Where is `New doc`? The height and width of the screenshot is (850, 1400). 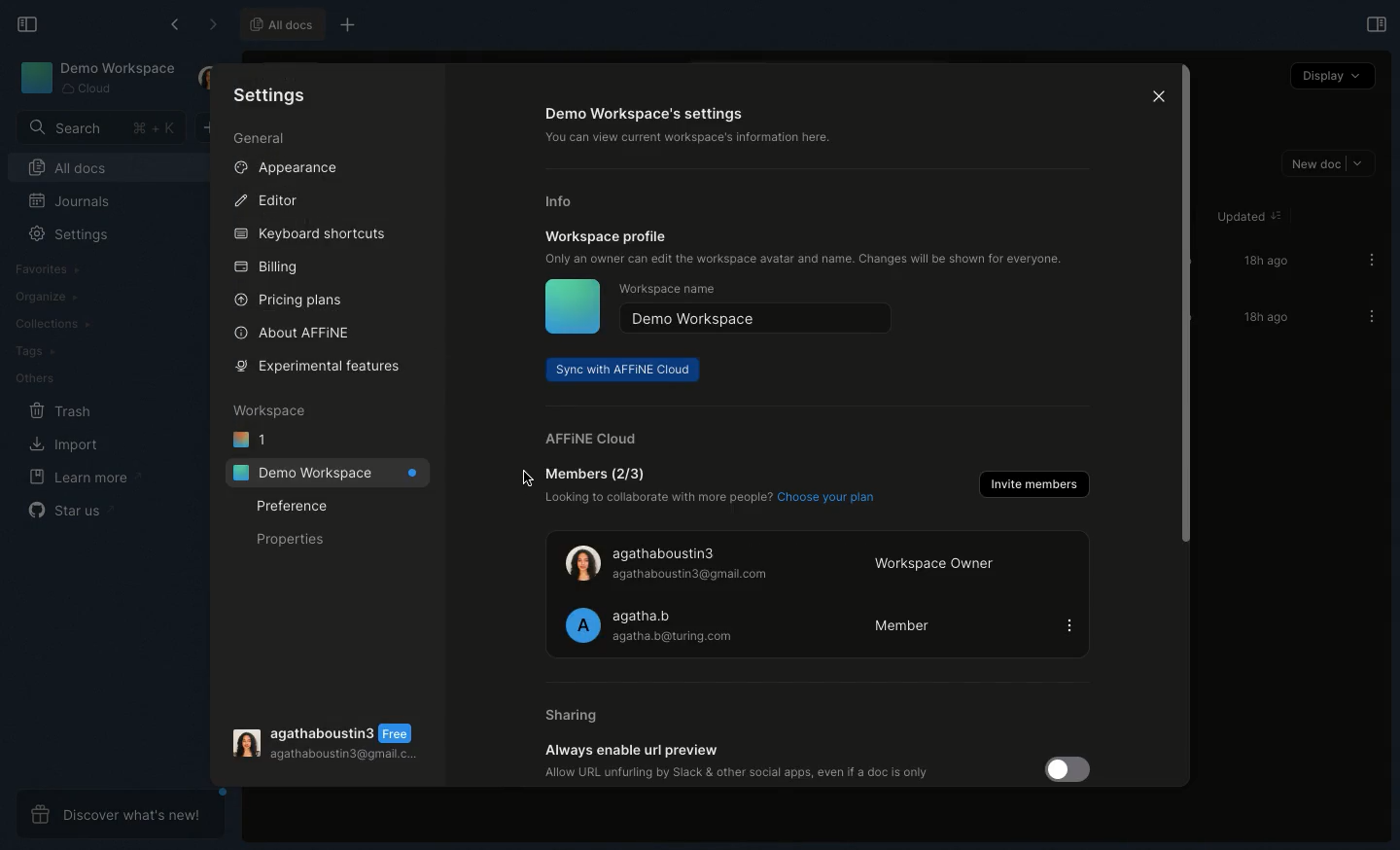 New doc is located at coordinates (1327, 164).